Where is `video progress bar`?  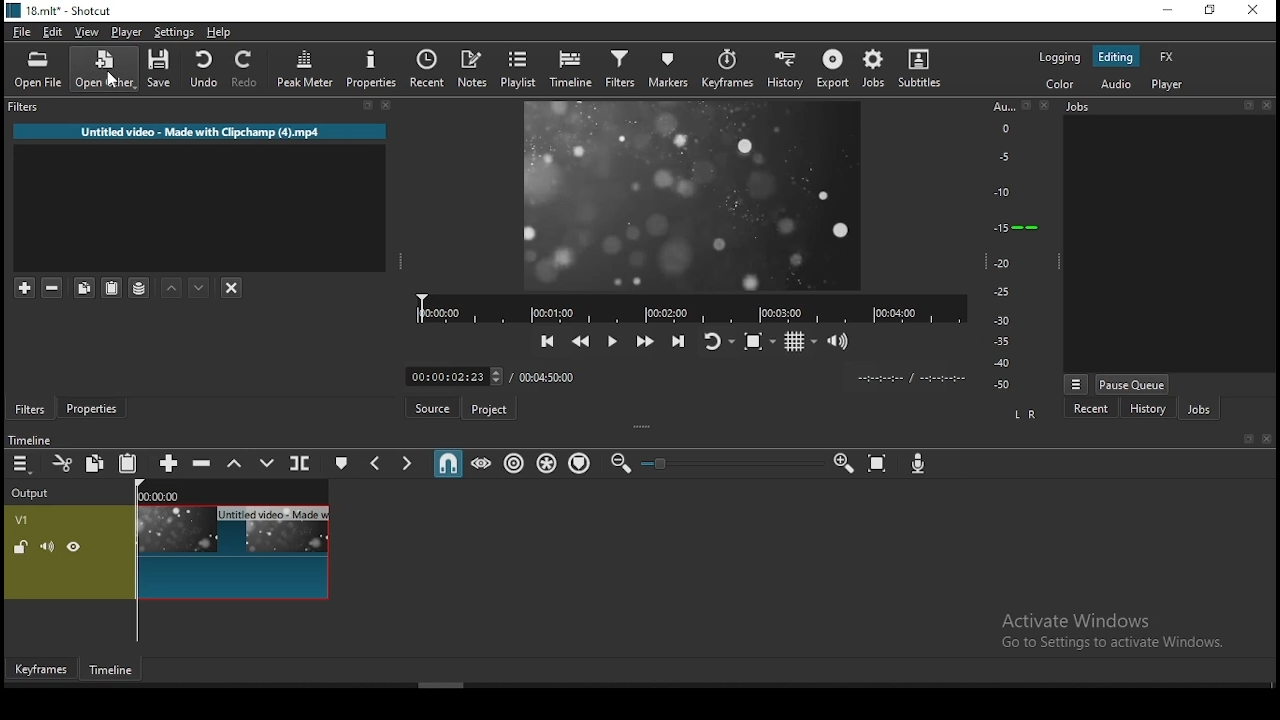 video progress bar is located at coordinates (687, 308).